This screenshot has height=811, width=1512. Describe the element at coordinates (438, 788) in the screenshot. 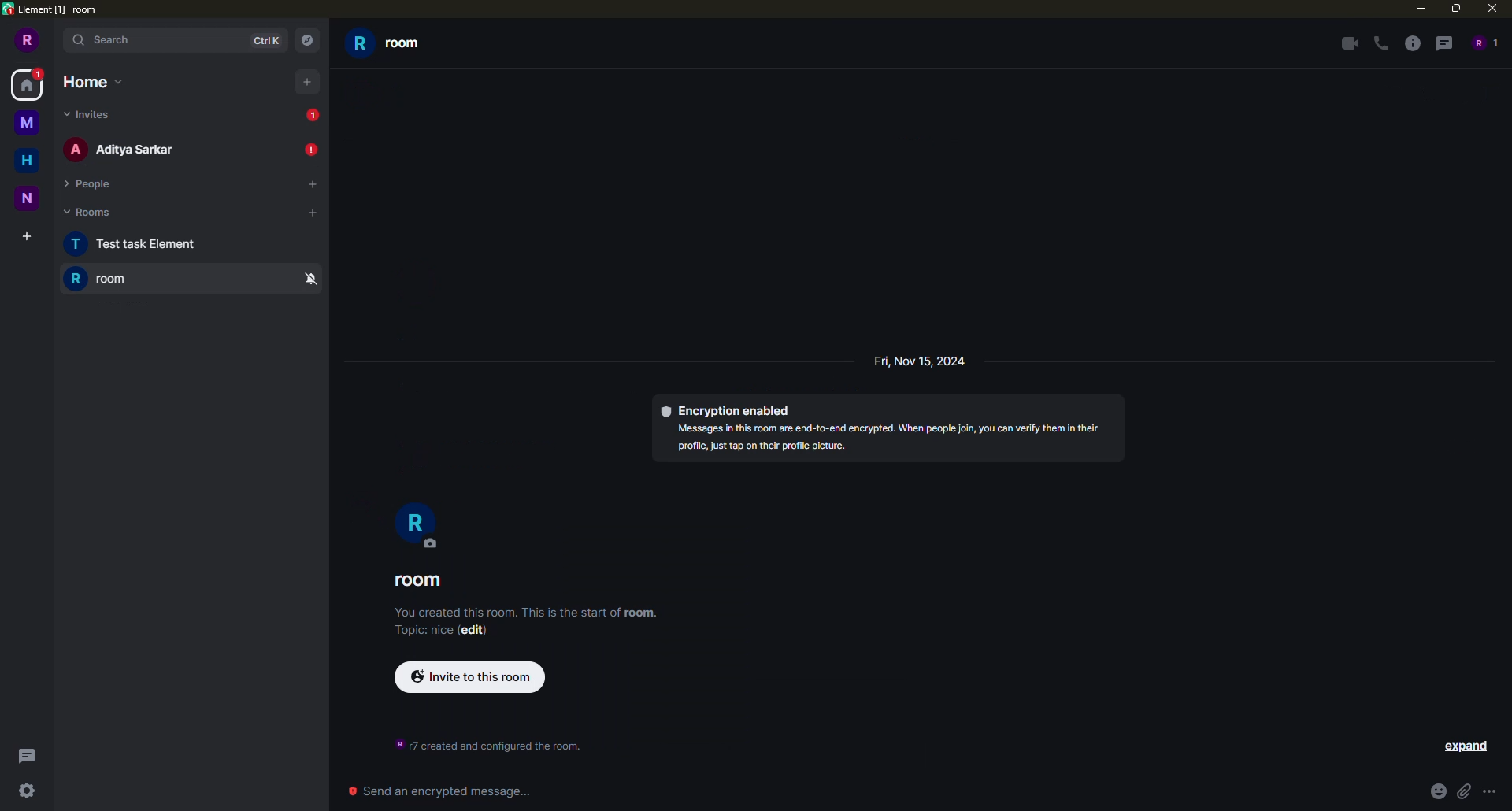

I see `send an encrypted message` at that location.